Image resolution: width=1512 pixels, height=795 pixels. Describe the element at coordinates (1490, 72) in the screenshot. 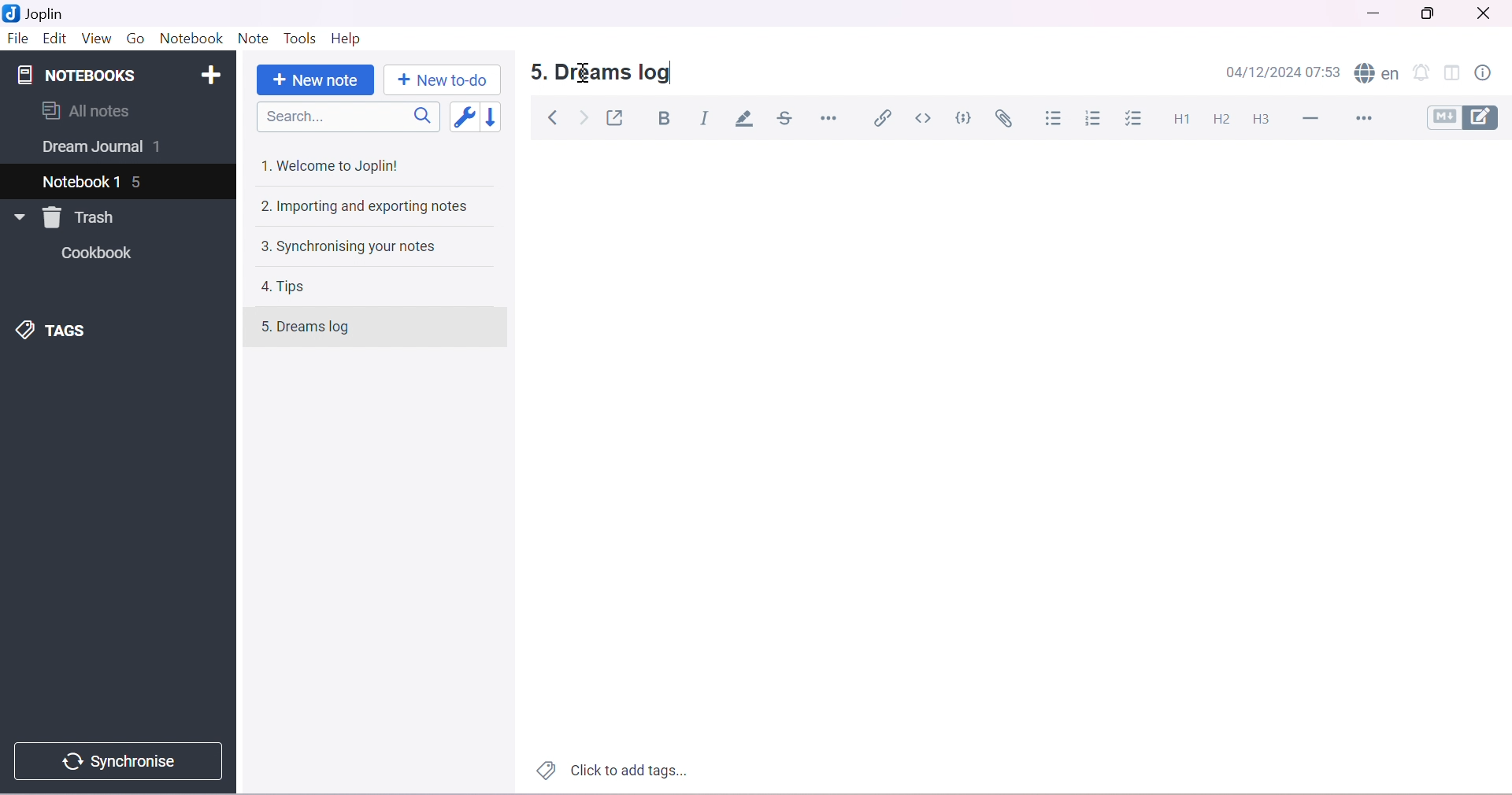

I see `Note properties` at that location.